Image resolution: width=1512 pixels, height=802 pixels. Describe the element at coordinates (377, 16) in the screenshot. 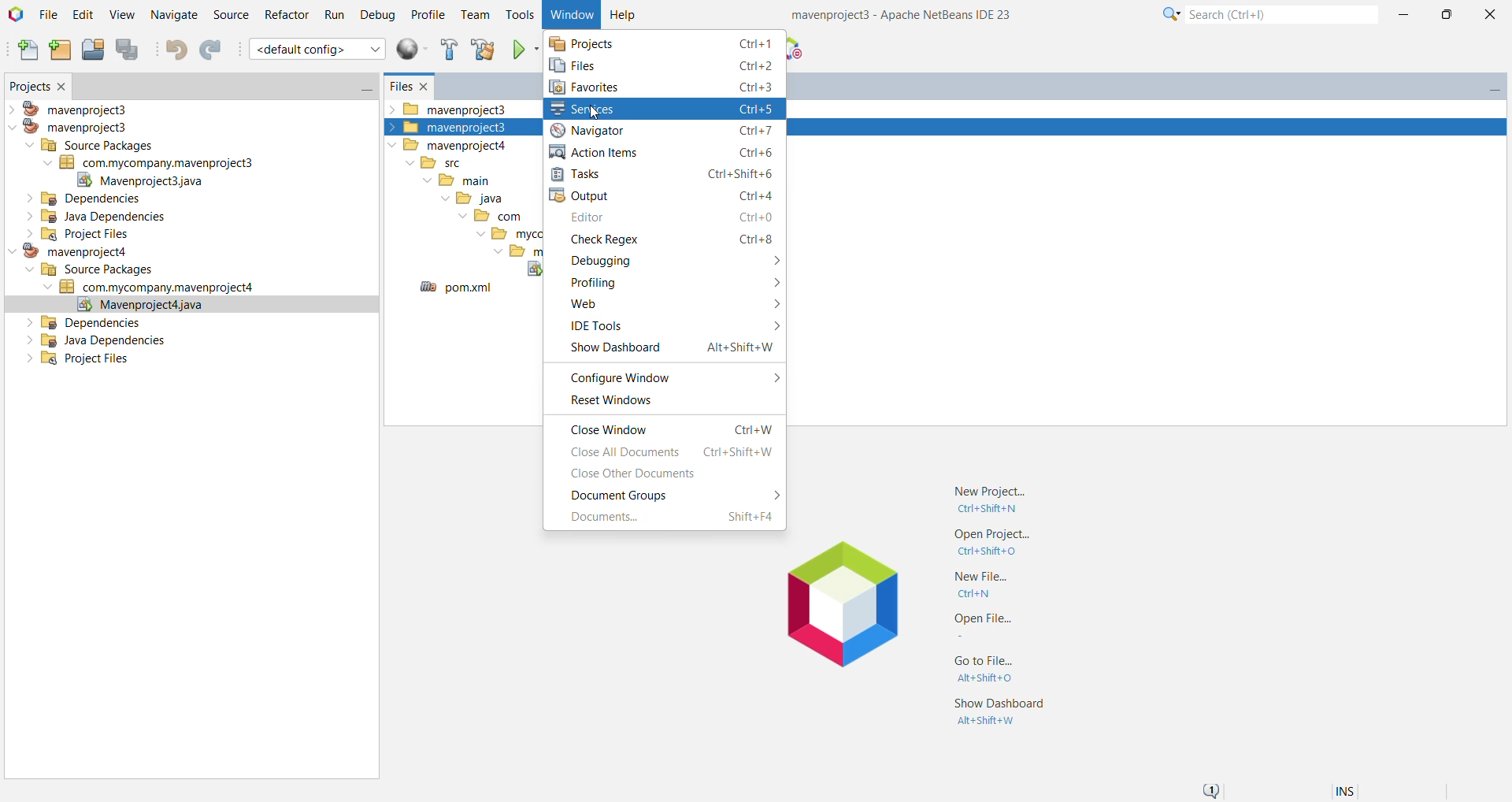

I see `Debug` at that location.